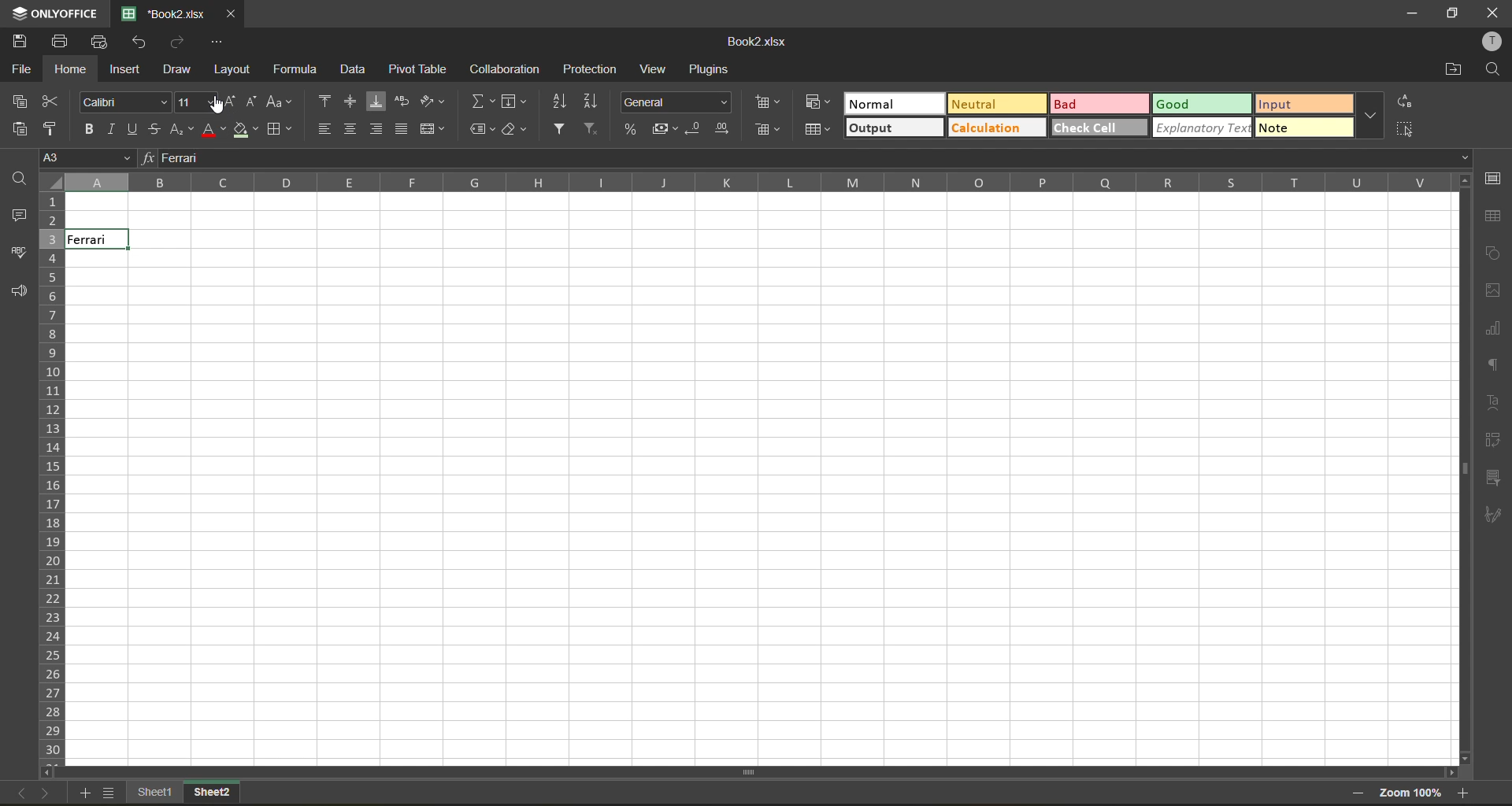 This screenshot has width=1512, height=806. Describe the element at coordinates (298, 71) in the screenshot. I see `formula` at that location.